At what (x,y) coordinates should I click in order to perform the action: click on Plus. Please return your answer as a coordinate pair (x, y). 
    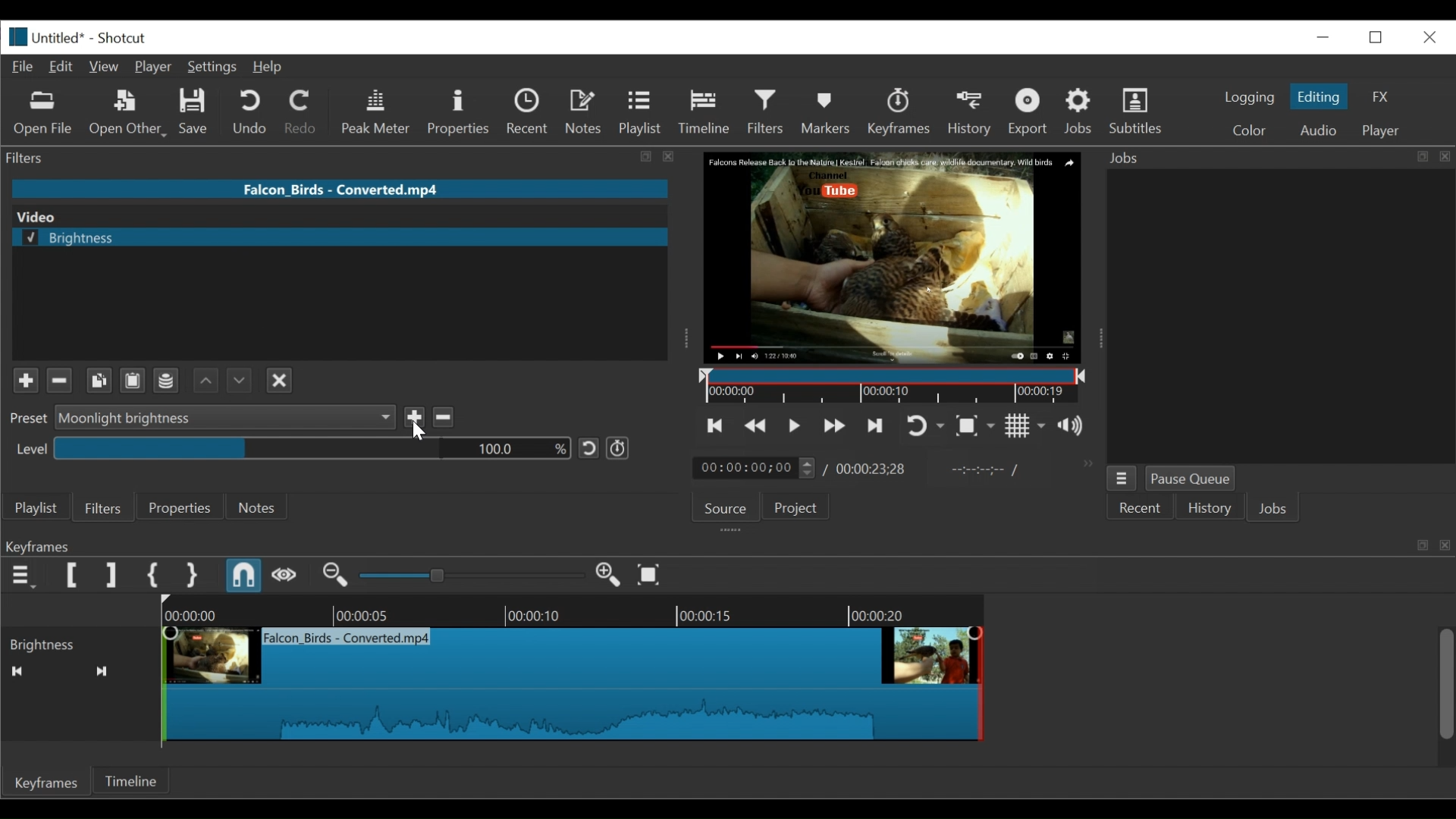
    Looking at the image, I should click on (20, 377).